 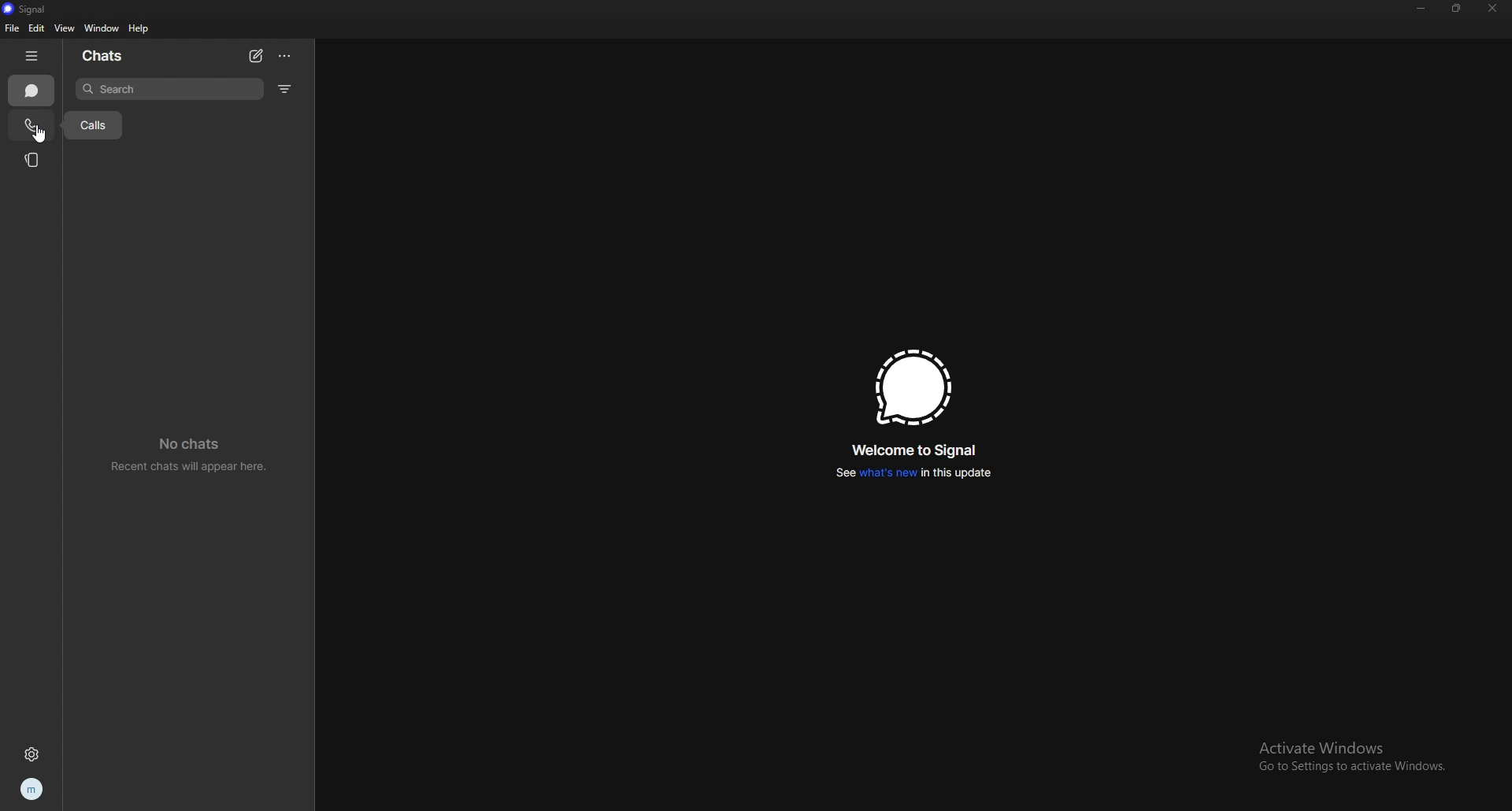 What do you see at coordinates (283, 56) in the screenshot?
I see `options` at bounding box center [283, 56].